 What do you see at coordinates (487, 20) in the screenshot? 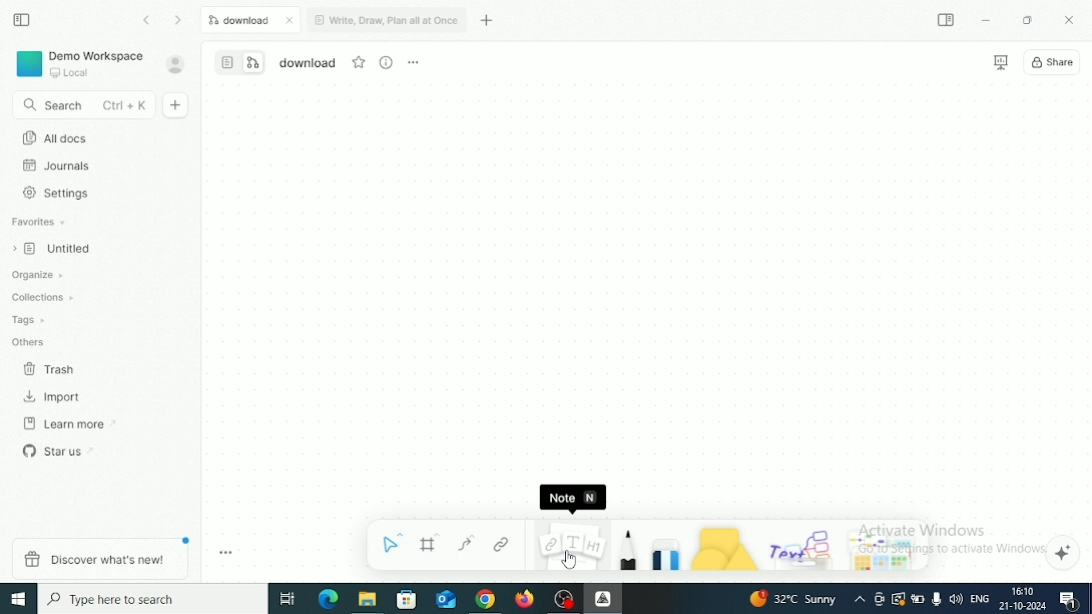
I see `New tab` at bounding box center [487, 20].